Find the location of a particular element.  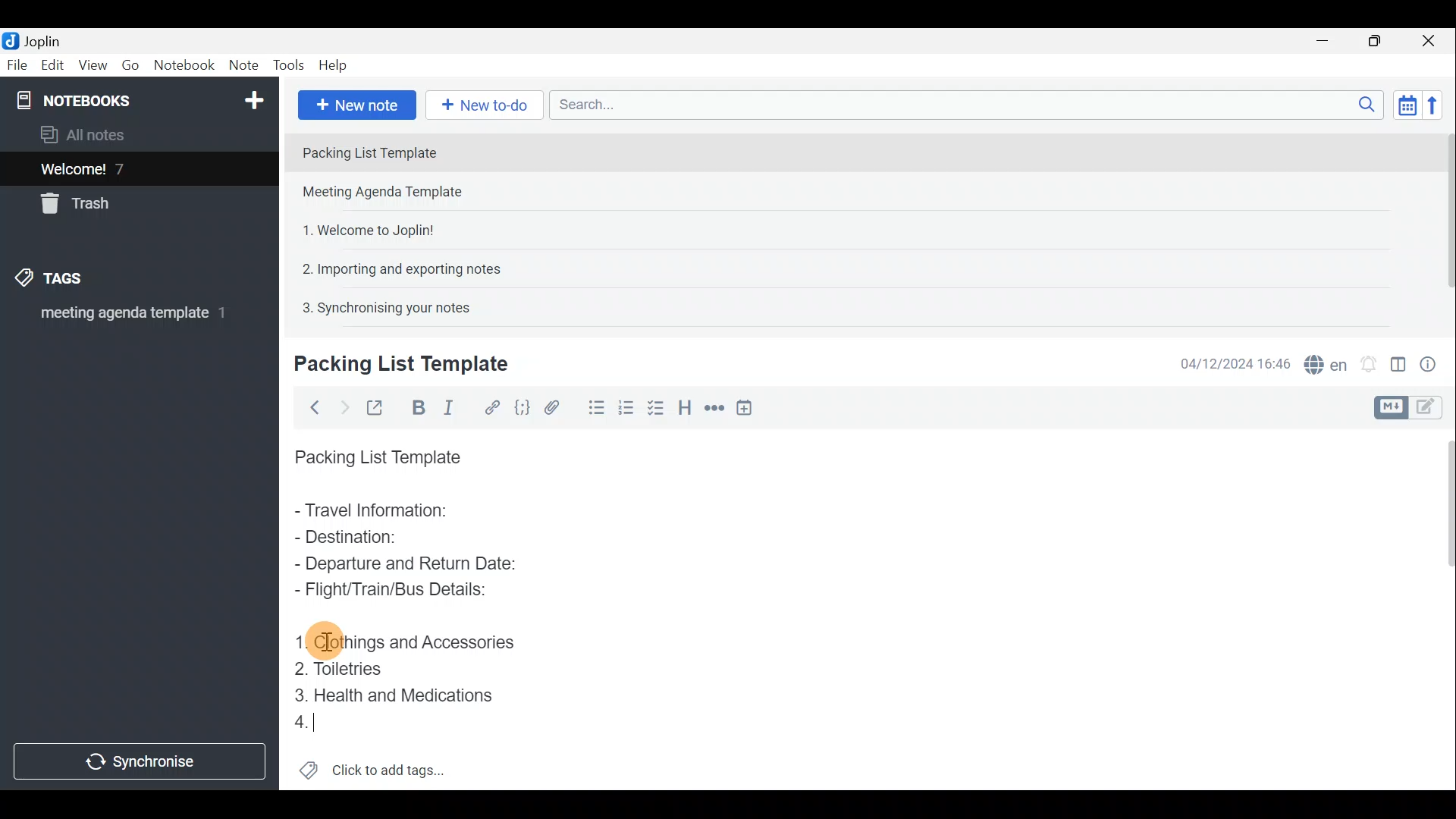

Reverse sort order is located at coordinates (1438, 104).